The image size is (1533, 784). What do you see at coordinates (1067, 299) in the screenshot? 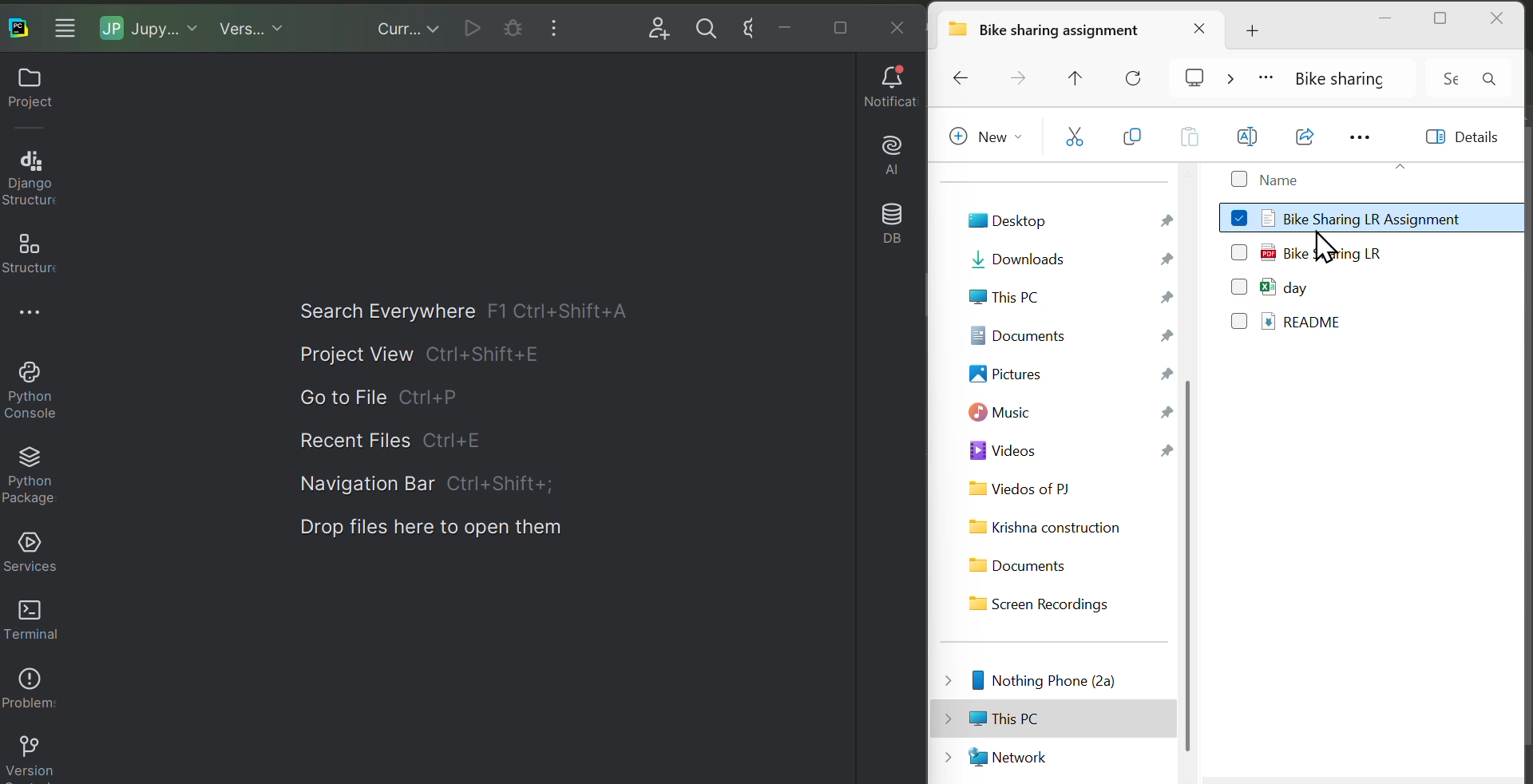
I see `This PC` at bounding box center [1067, 299].